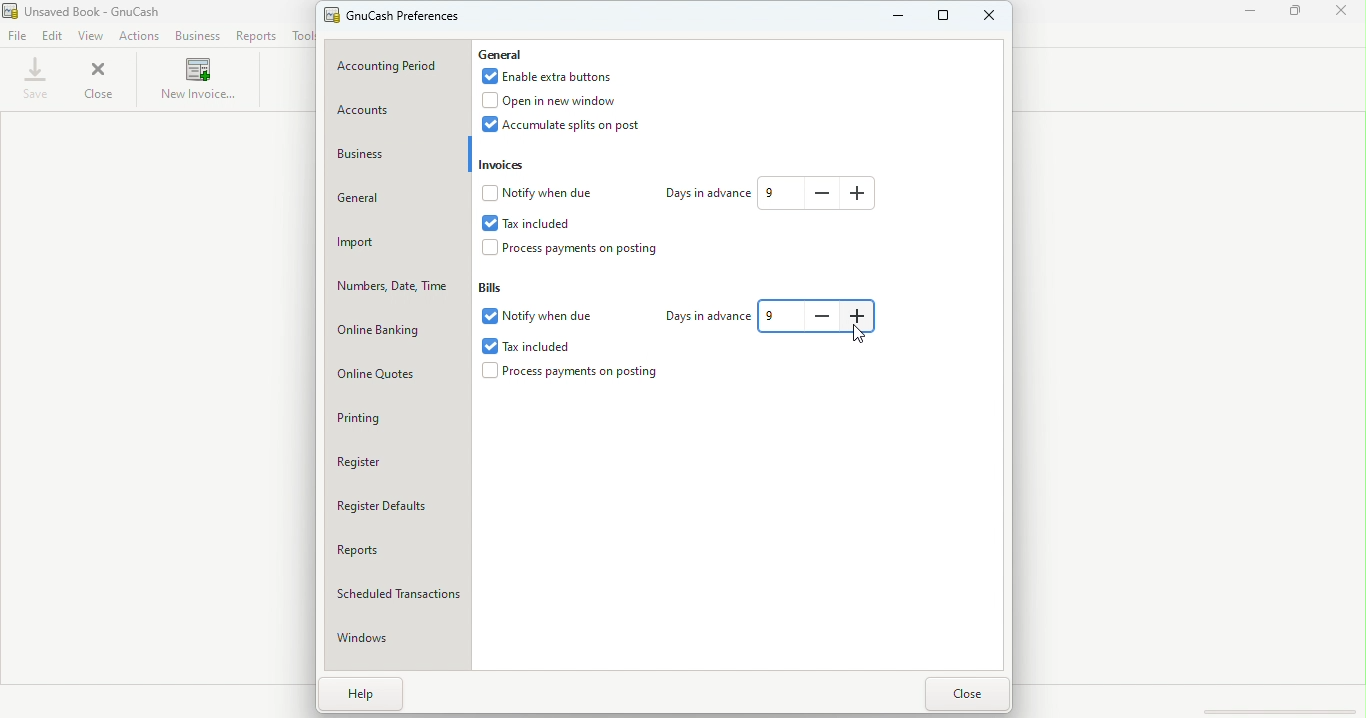  What do you see at coordinates (36, 79) in the screenshot?
I see `Save` at bounding box center [36, 79].